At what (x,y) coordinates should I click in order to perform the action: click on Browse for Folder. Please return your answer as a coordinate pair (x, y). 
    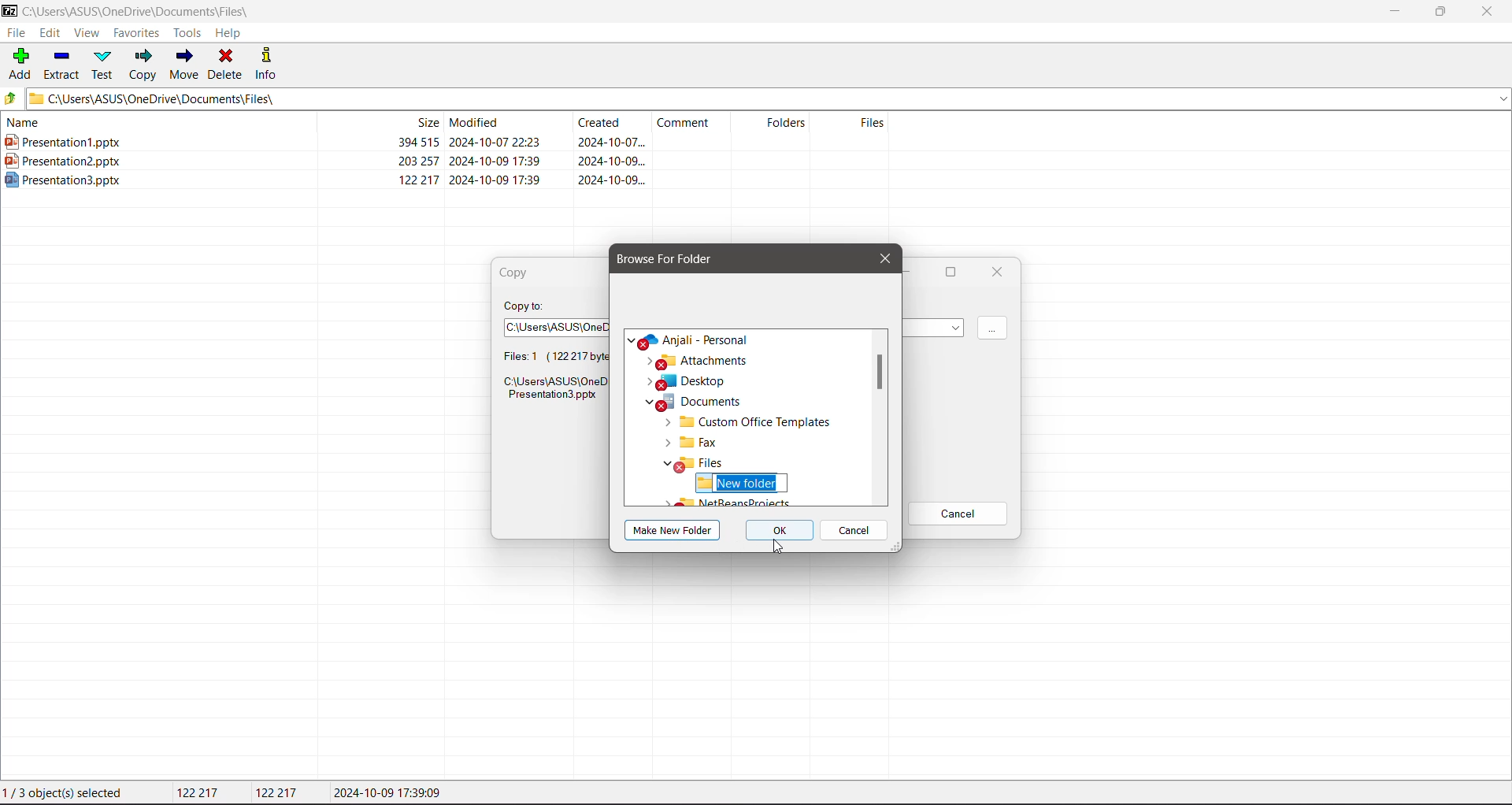
    Looking at the image, I should click on (676, 258).